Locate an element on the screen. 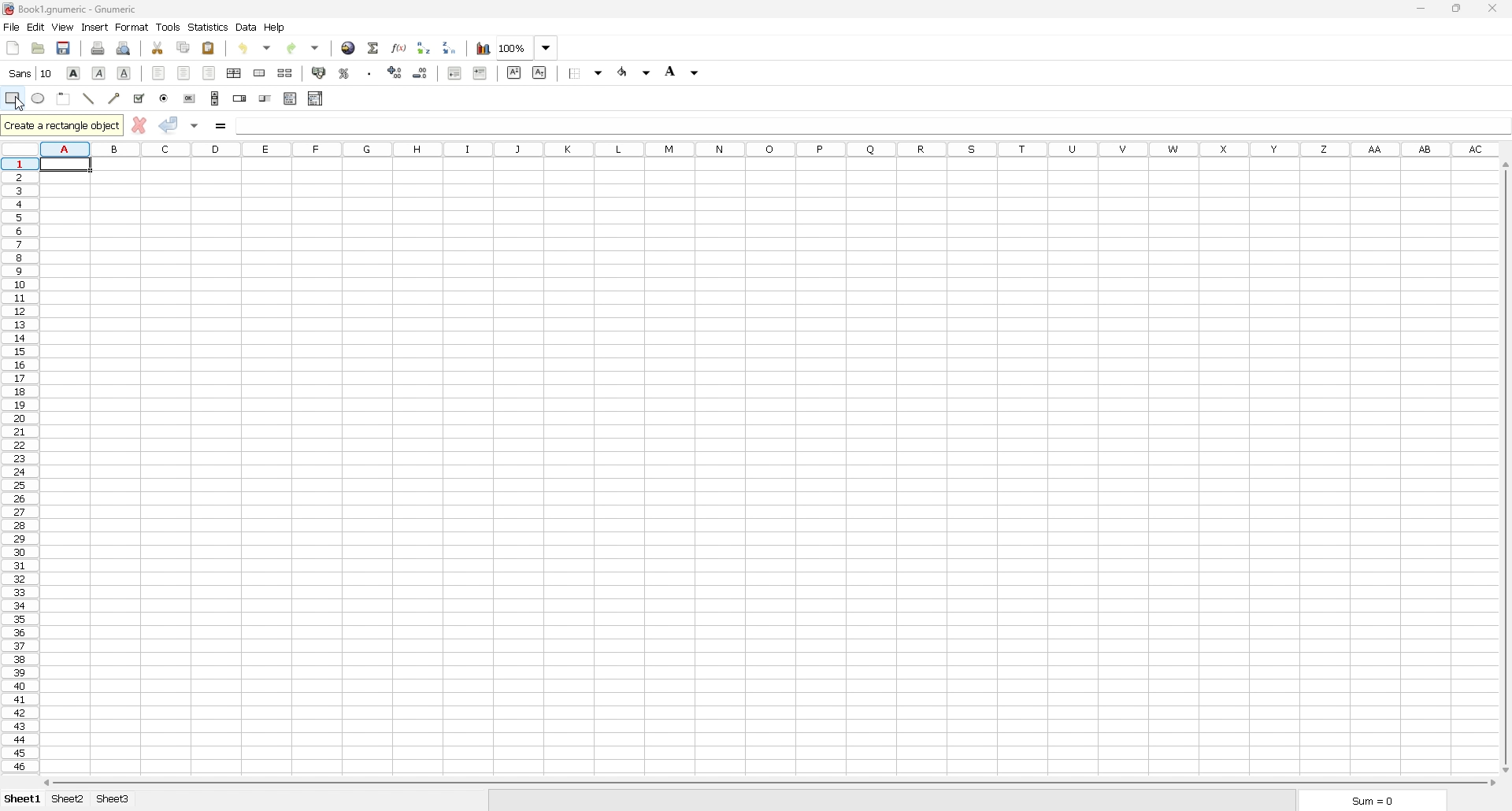  increase indent is located at coordinates (480, 73).